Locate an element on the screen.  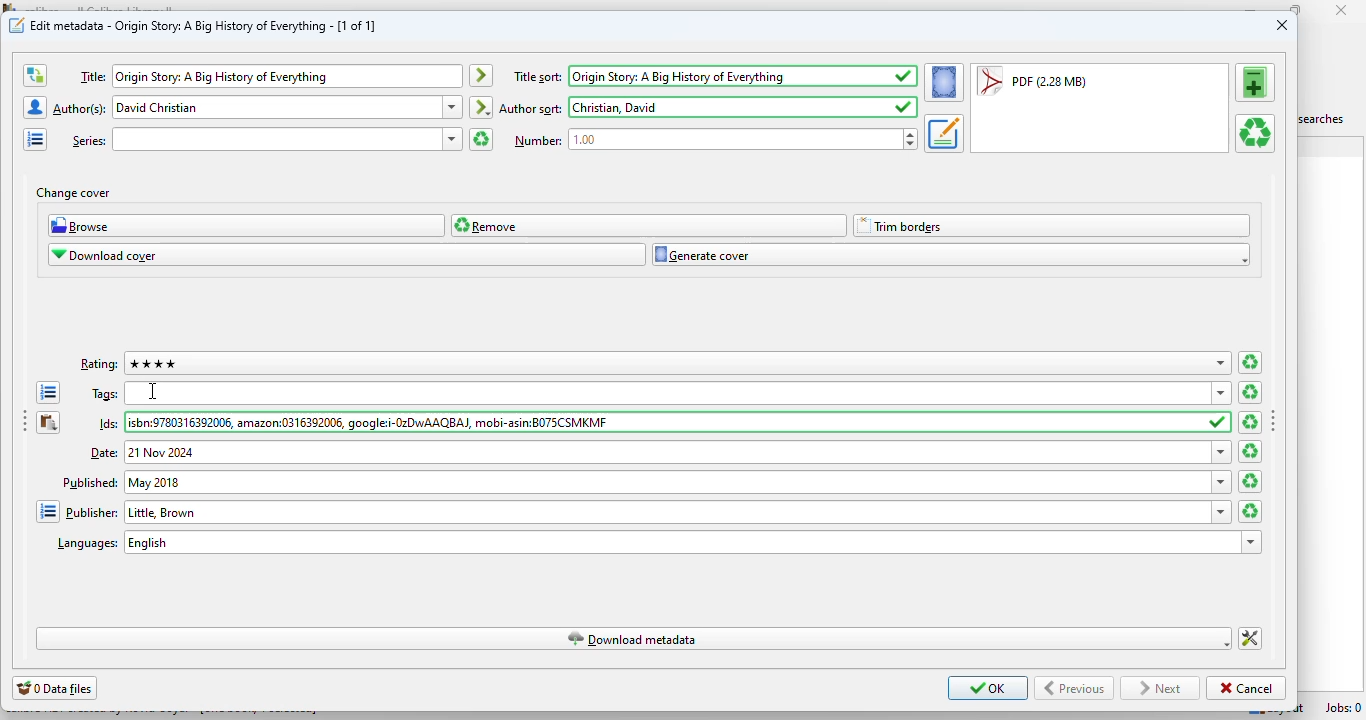
dropdown is located at coordinates (1222, 452).